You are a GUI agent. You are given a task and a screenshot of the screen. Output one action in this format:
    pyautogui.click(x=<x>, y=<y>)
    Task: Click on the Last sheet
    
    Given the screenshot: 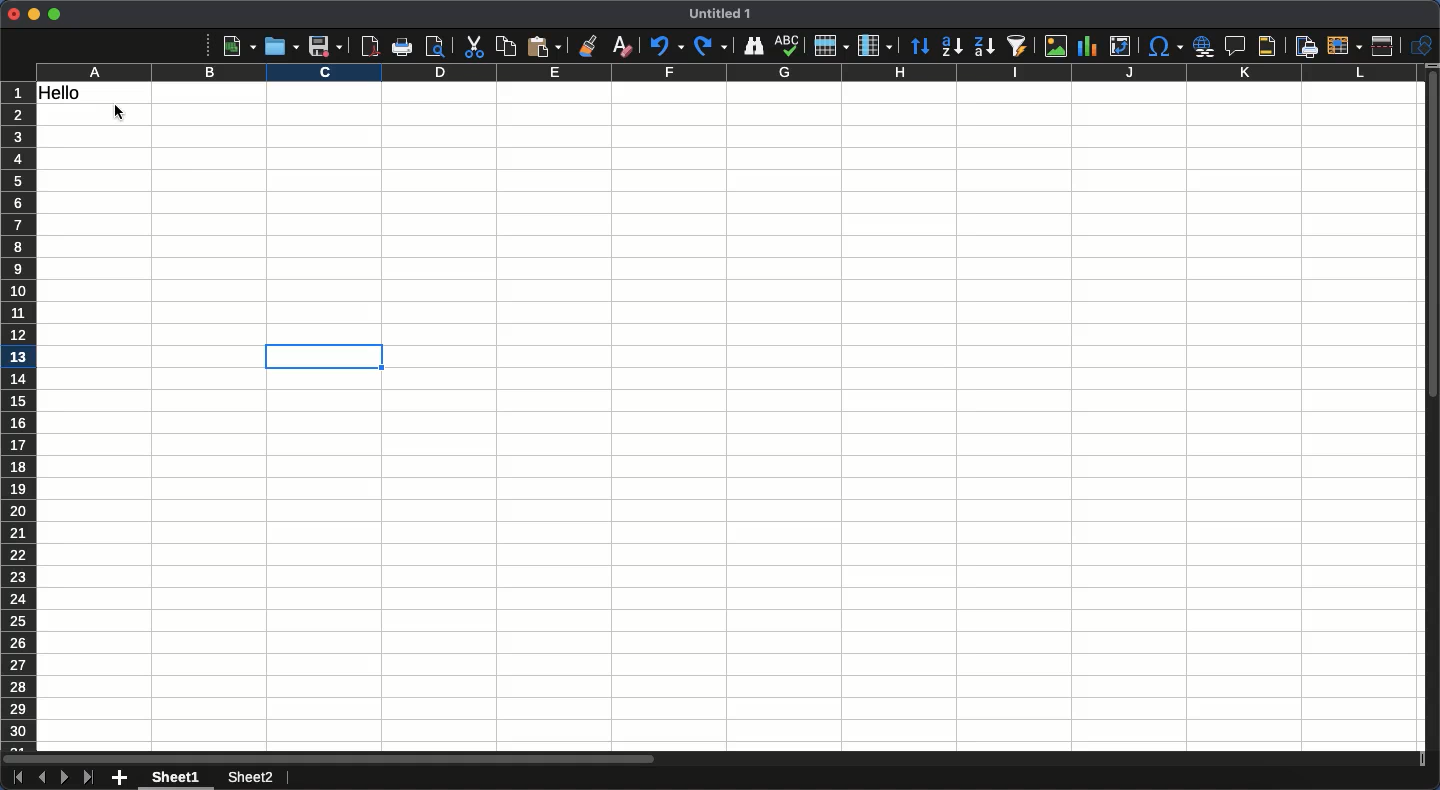 What is the action you would take?
    pyautogui.click(x=88, y=777)
    